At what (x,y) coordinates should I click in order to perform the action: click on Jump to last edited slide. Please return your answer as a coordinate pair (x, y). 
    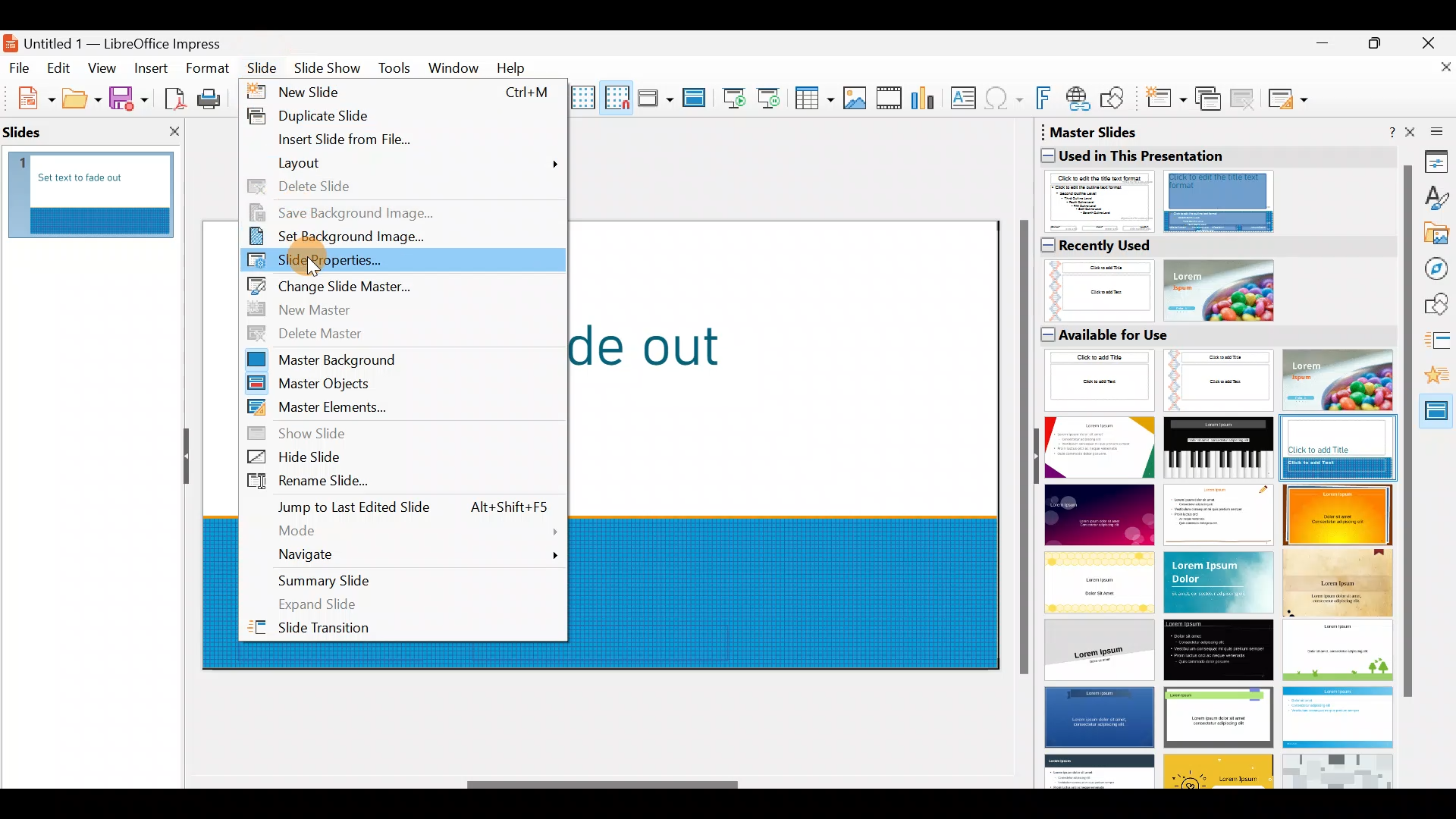
    Looking at the image, I should click on (406, 508).